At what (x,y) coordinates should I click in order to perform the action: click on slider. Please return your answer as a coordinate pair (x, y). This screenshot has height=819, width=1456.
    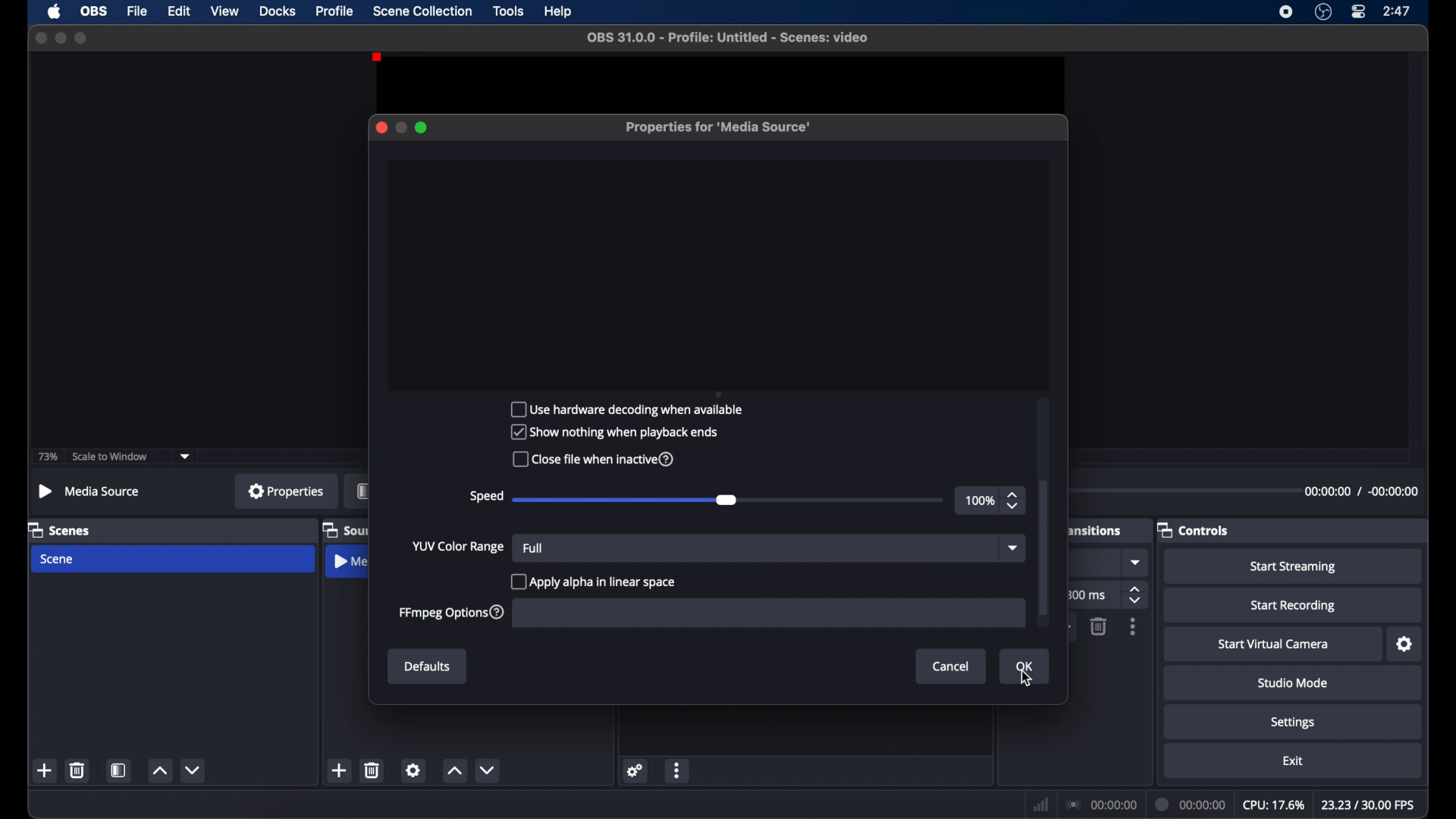
    Looking at the image, I should click on (625, 500).